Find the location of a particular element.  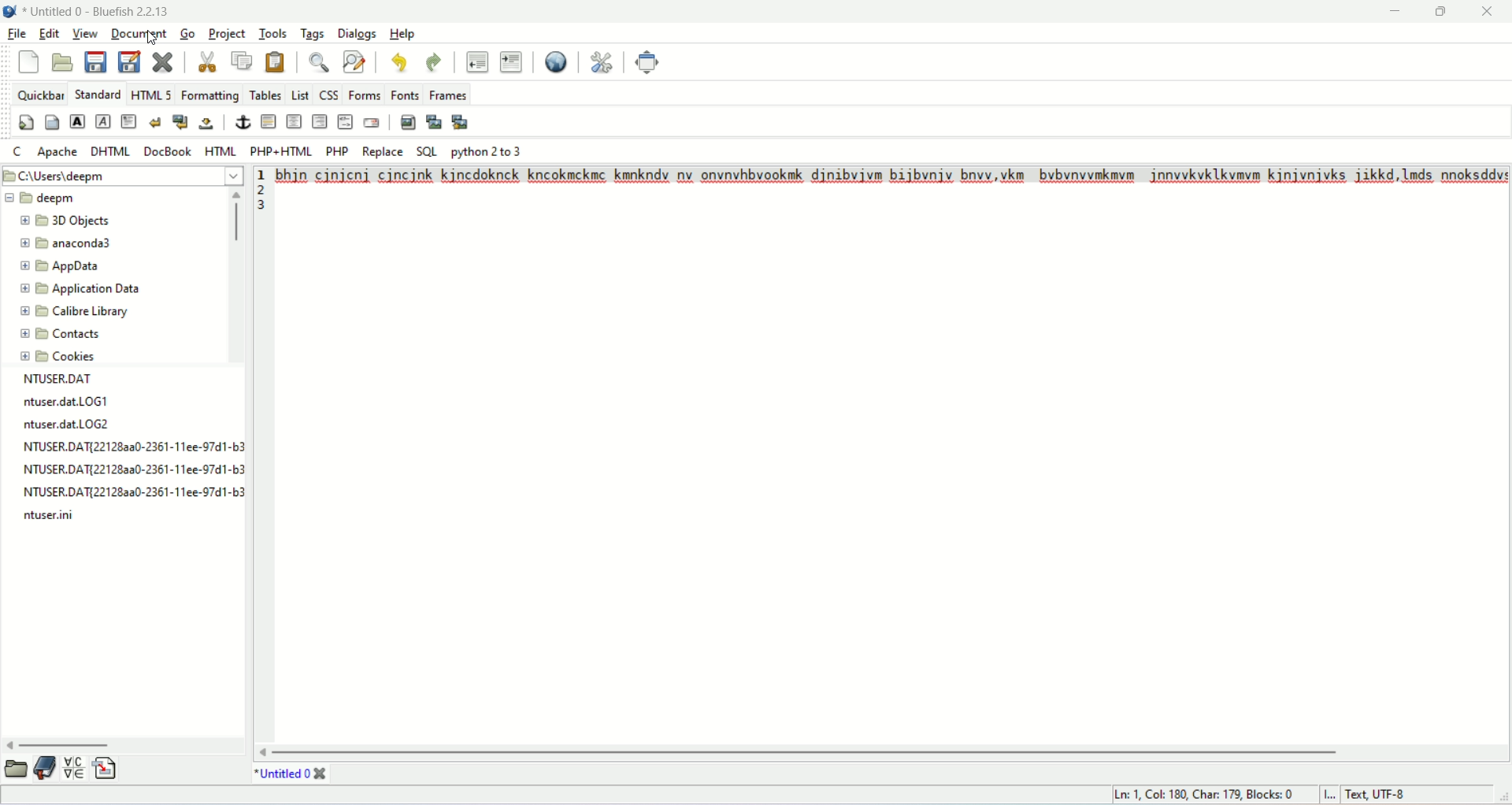

strong is located at coordinates (80, 122).